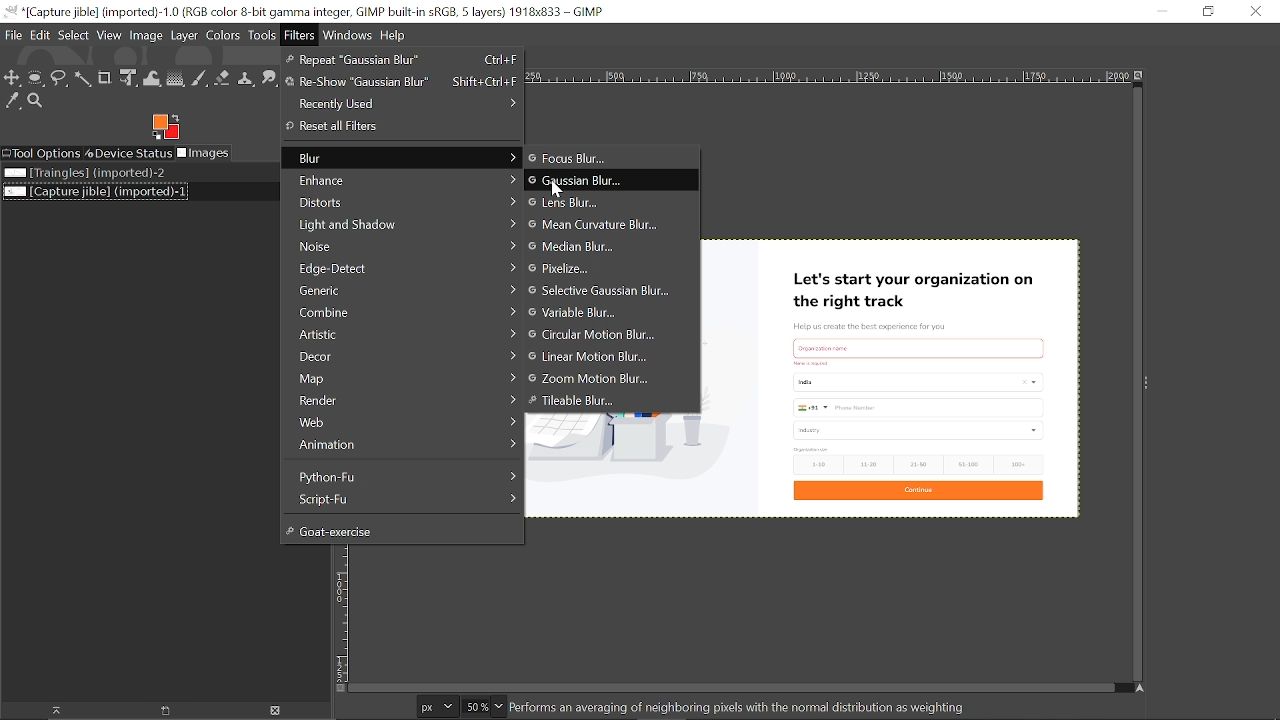  What do you see at coordinates (500, 708) in the screenshot?
I see `Current zoom` at bounding box center [500, 708].